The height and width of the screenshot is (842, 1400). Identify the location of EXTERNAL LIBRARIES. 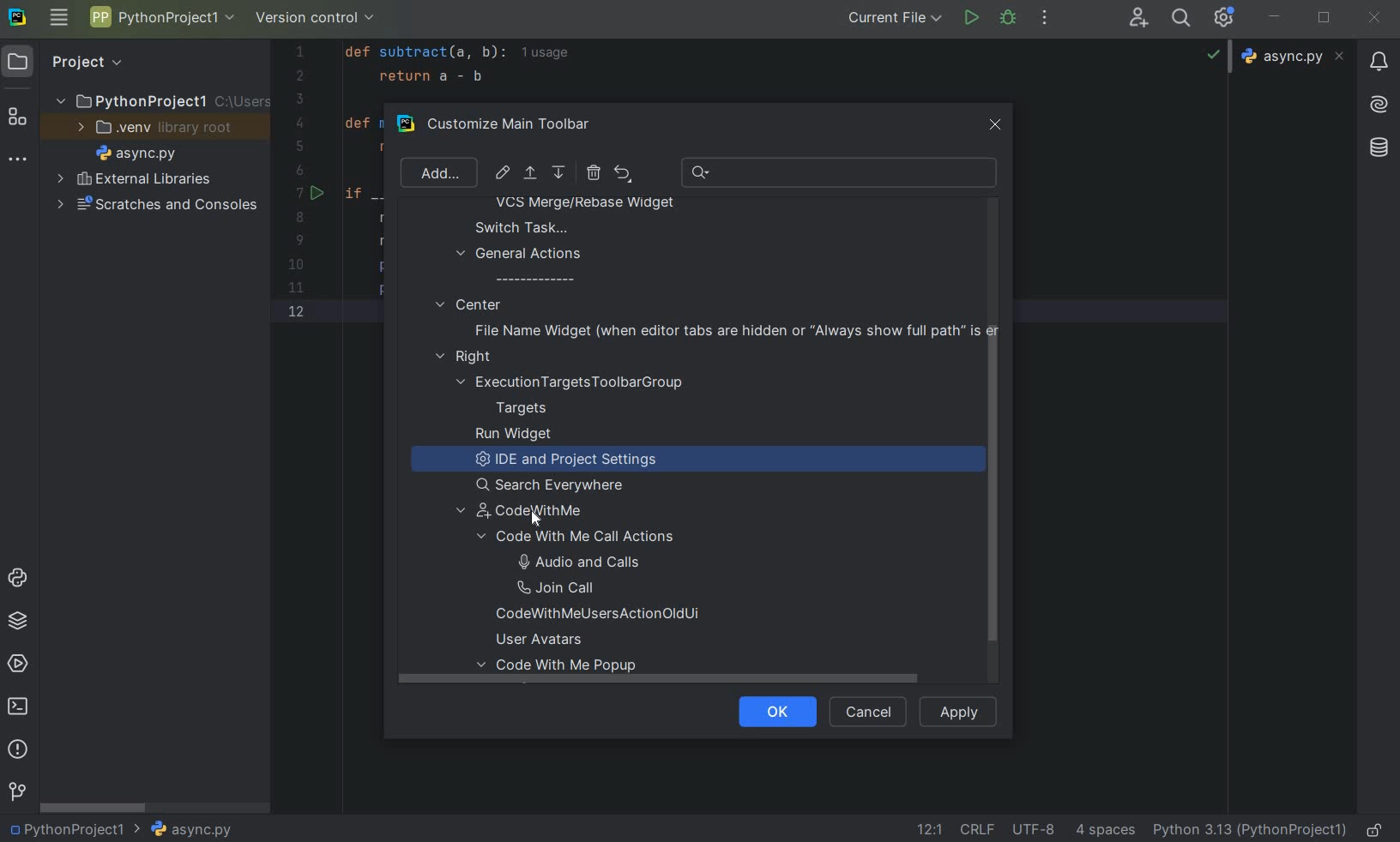
(135, 180).